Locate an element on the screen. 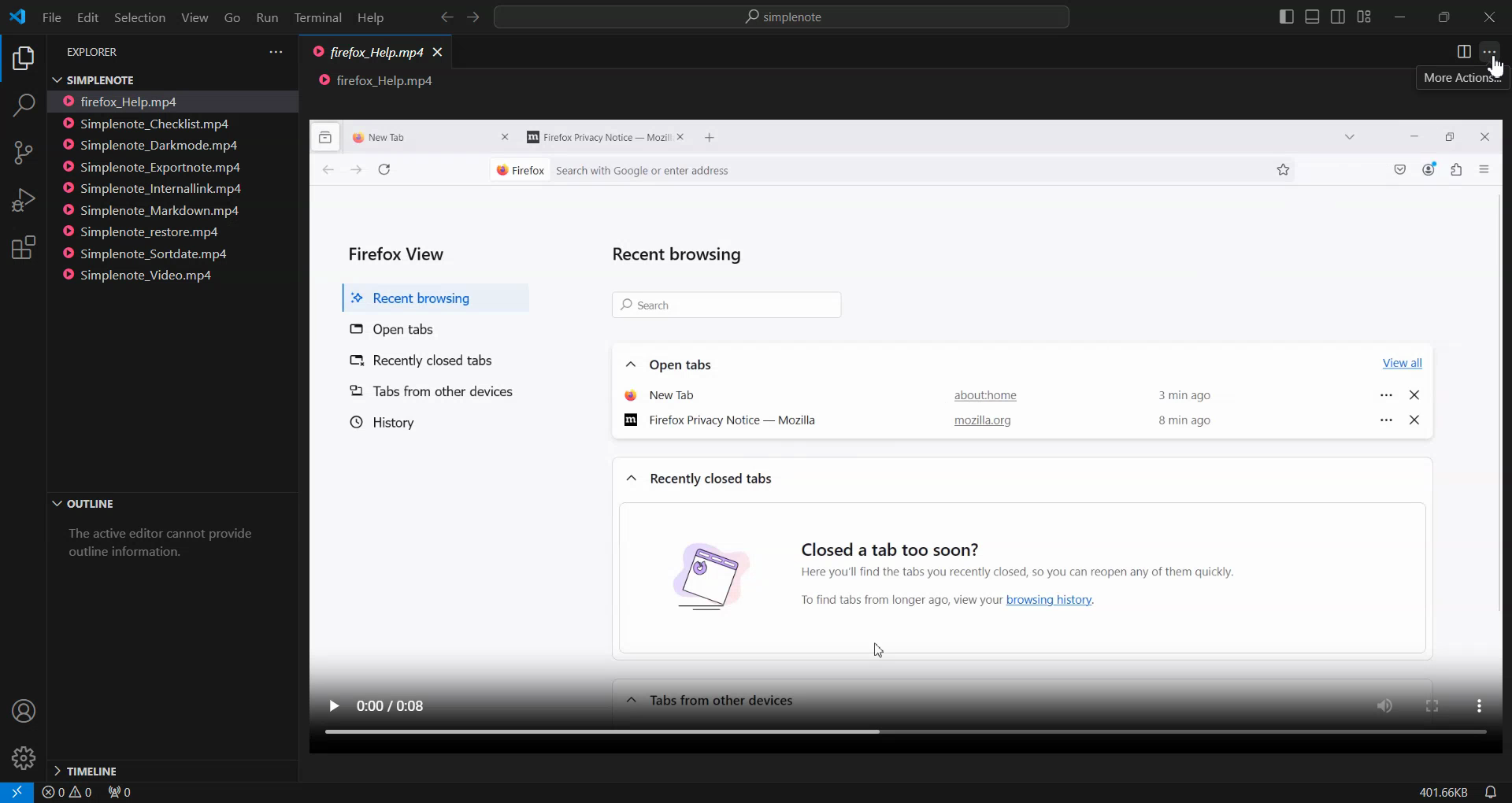 This screenshot has width=1512, height=803. about:home is located at coordinates (980, 398).